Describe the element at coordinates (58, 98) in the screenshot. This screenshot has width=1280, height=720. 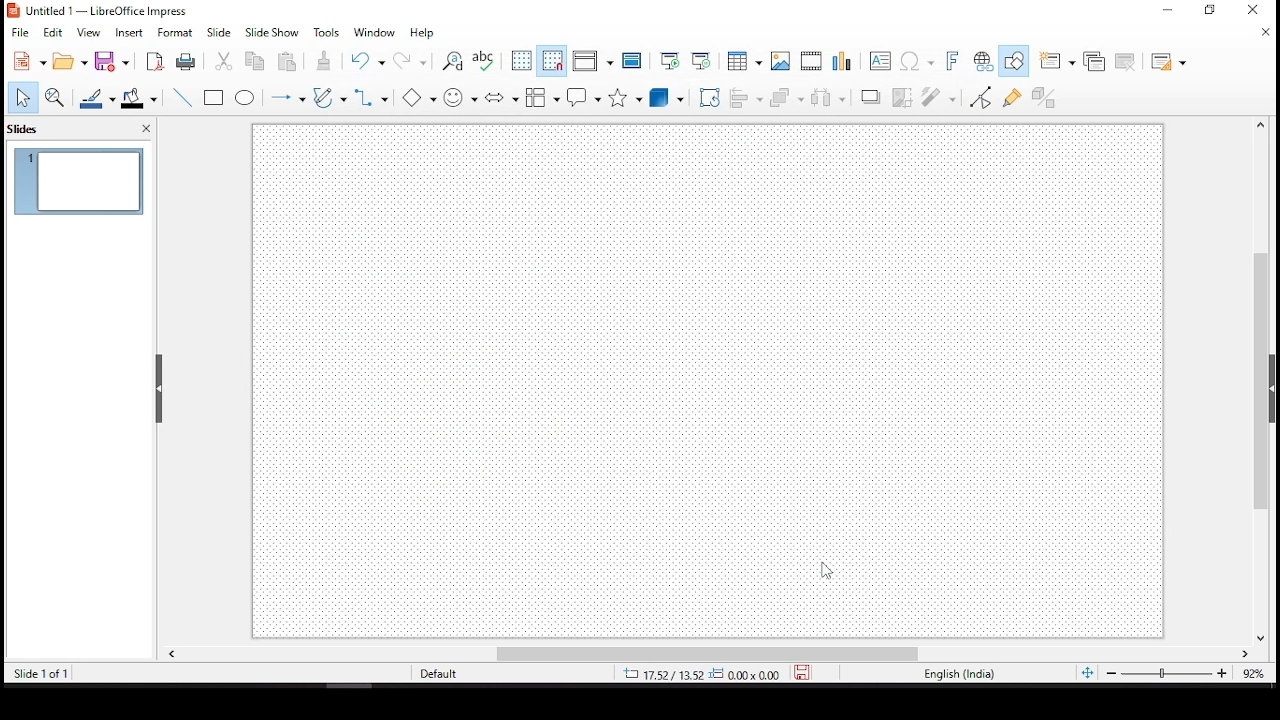
I see `zoom and pan` at that location.